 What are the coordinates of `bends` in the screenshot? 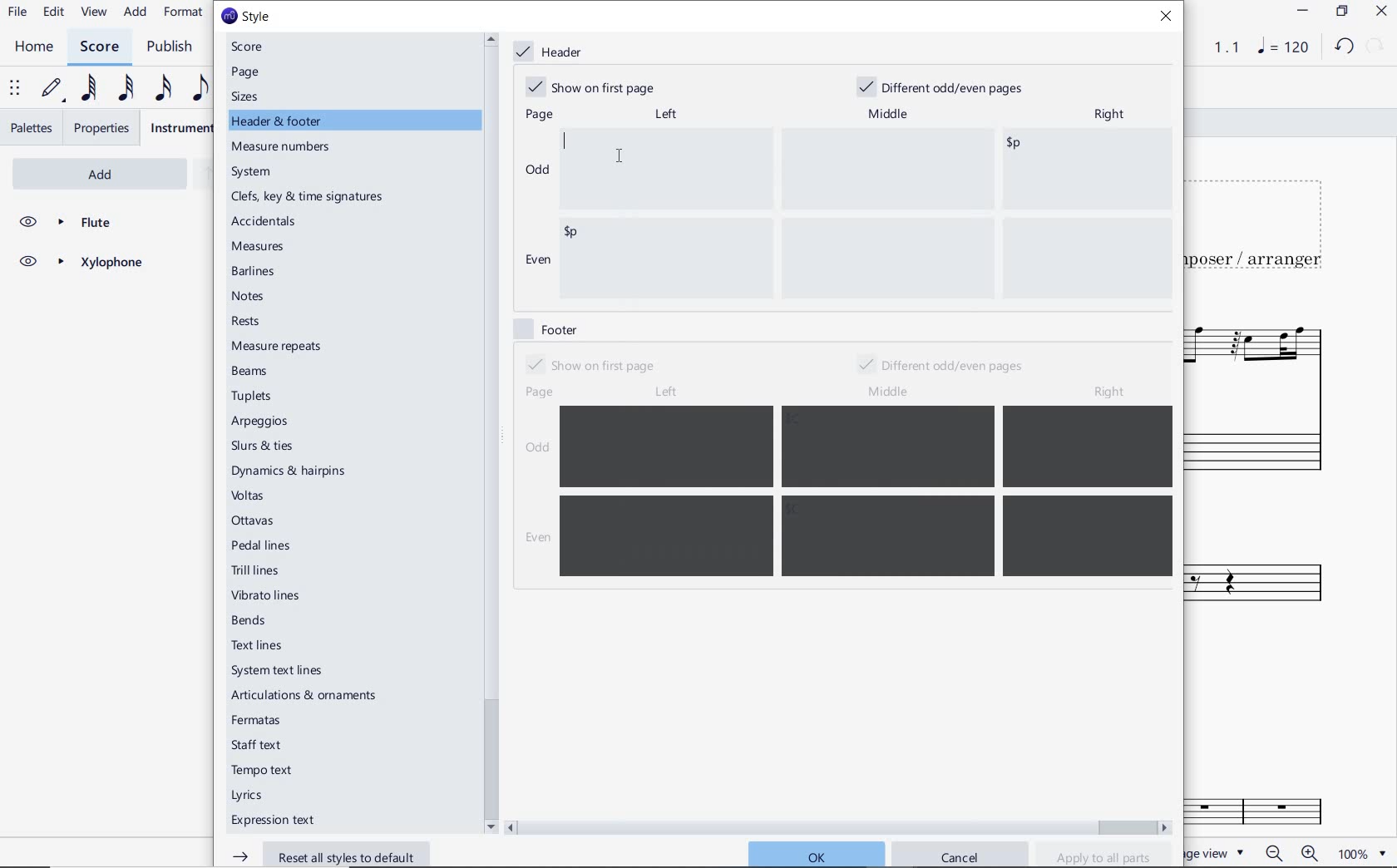 It's located at (252, 621).